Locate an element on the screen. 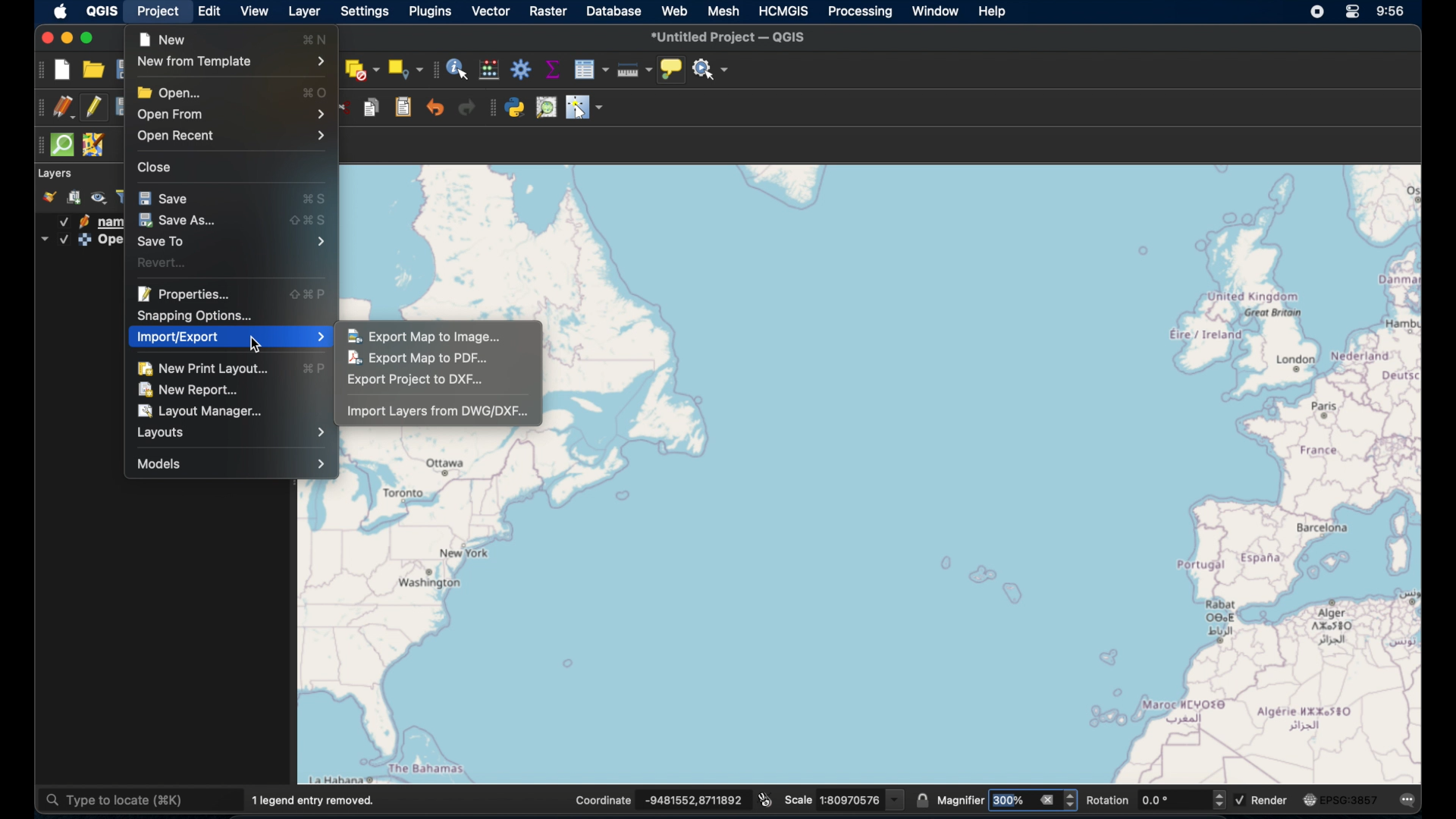 Image resolution: width=1456 pixels, height=819 pixels. undo is located at coordinates (435, 107).